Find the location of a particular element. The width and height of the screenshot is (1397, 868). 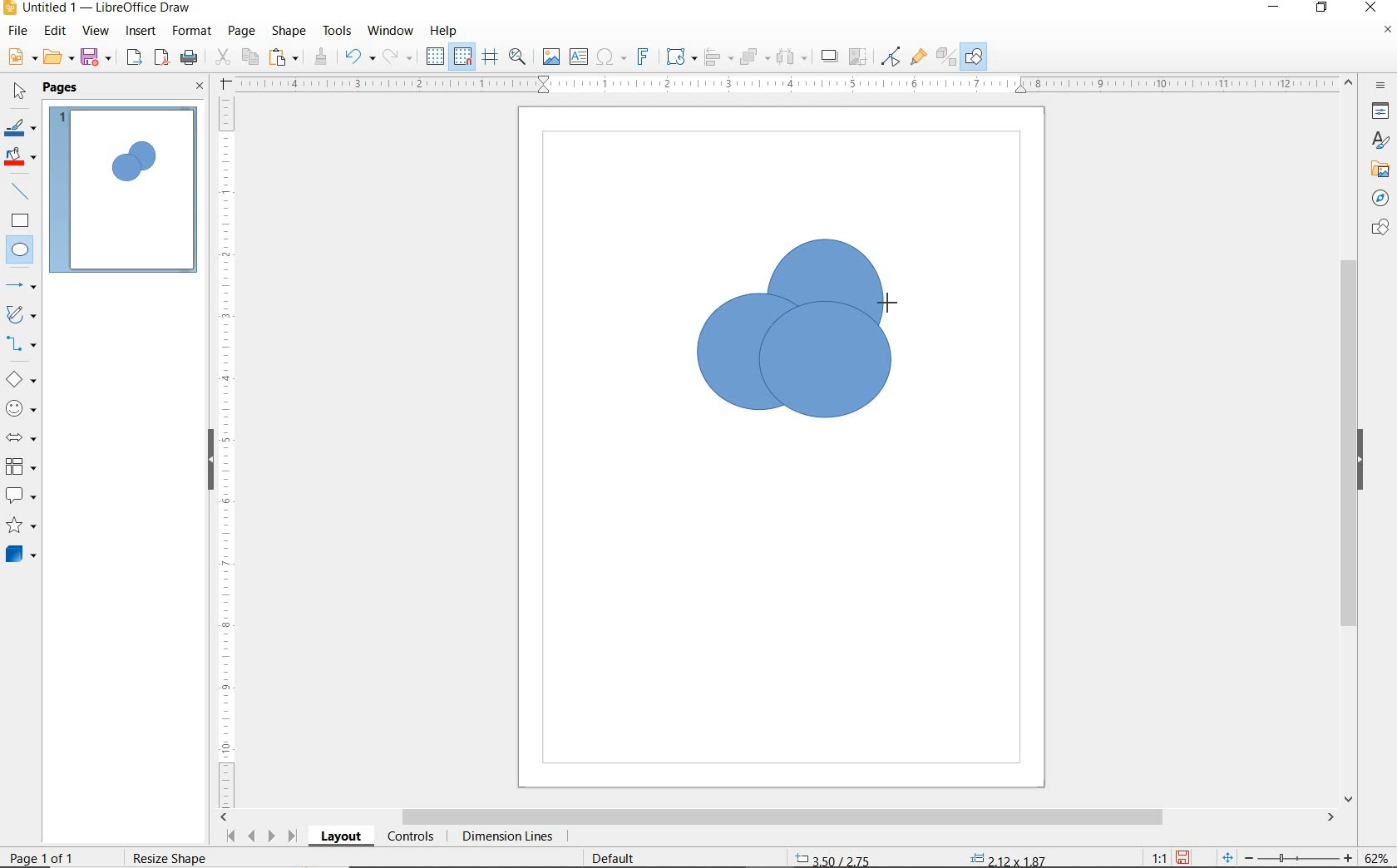

TOGGLE POINT EDIT MODE is located at coordinates (891, 57).